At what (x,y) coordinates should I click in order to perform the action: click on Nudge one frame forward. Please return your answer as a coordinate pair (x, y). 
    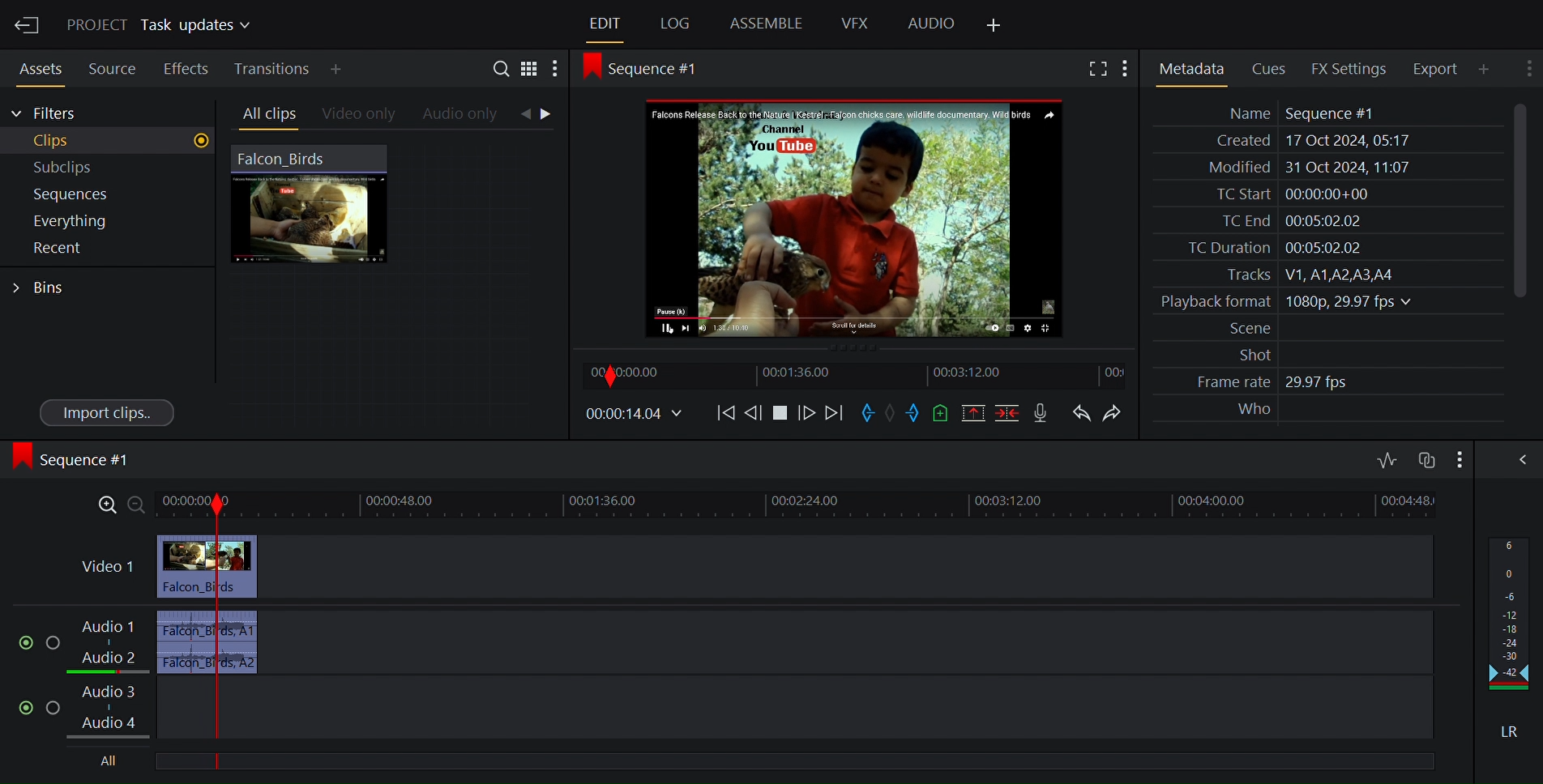
    Looking at the image, I should click on (805, 413).